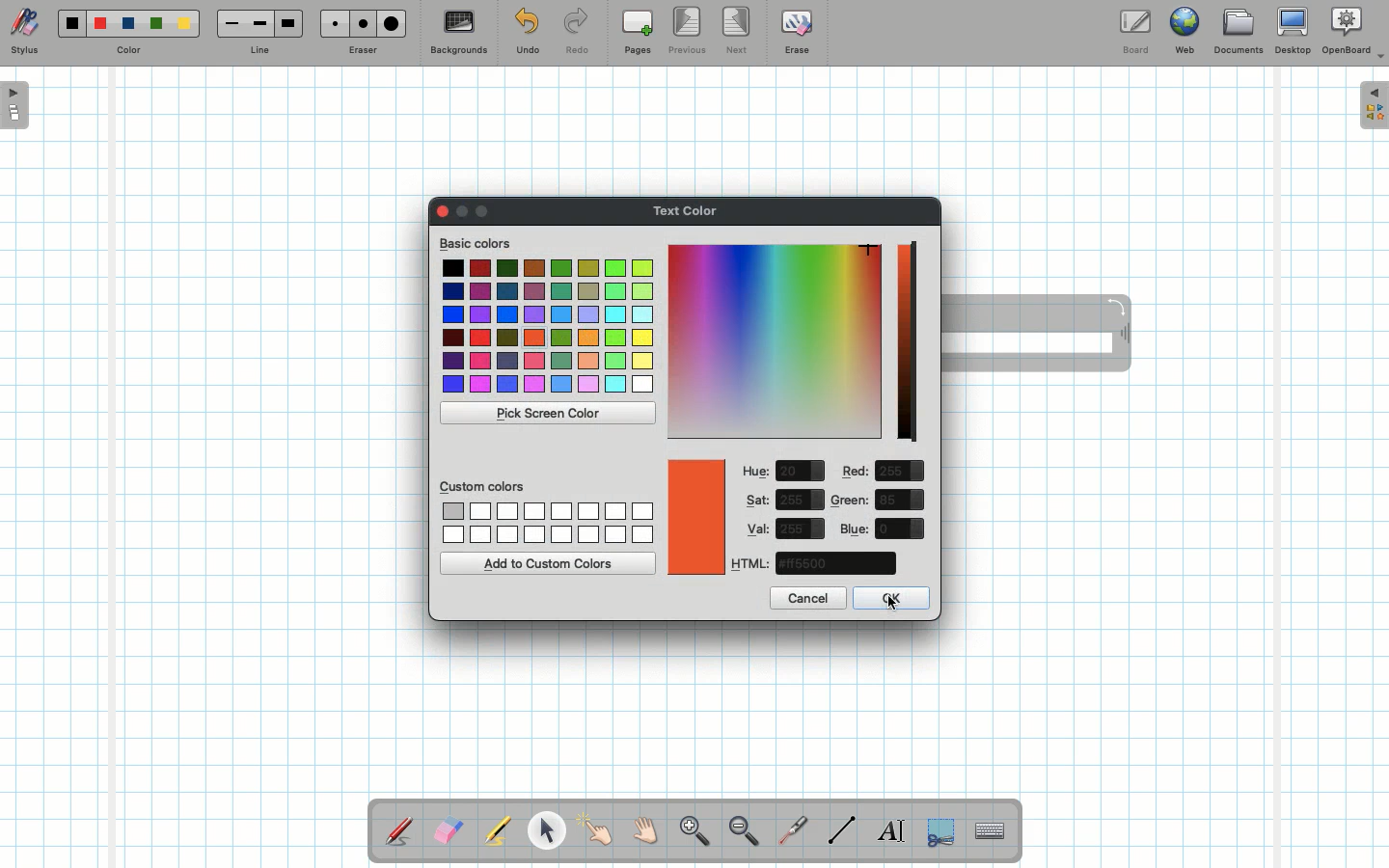  Describe the element at coordinates (758, 529) in the screenshot. I see `Val` at that location.